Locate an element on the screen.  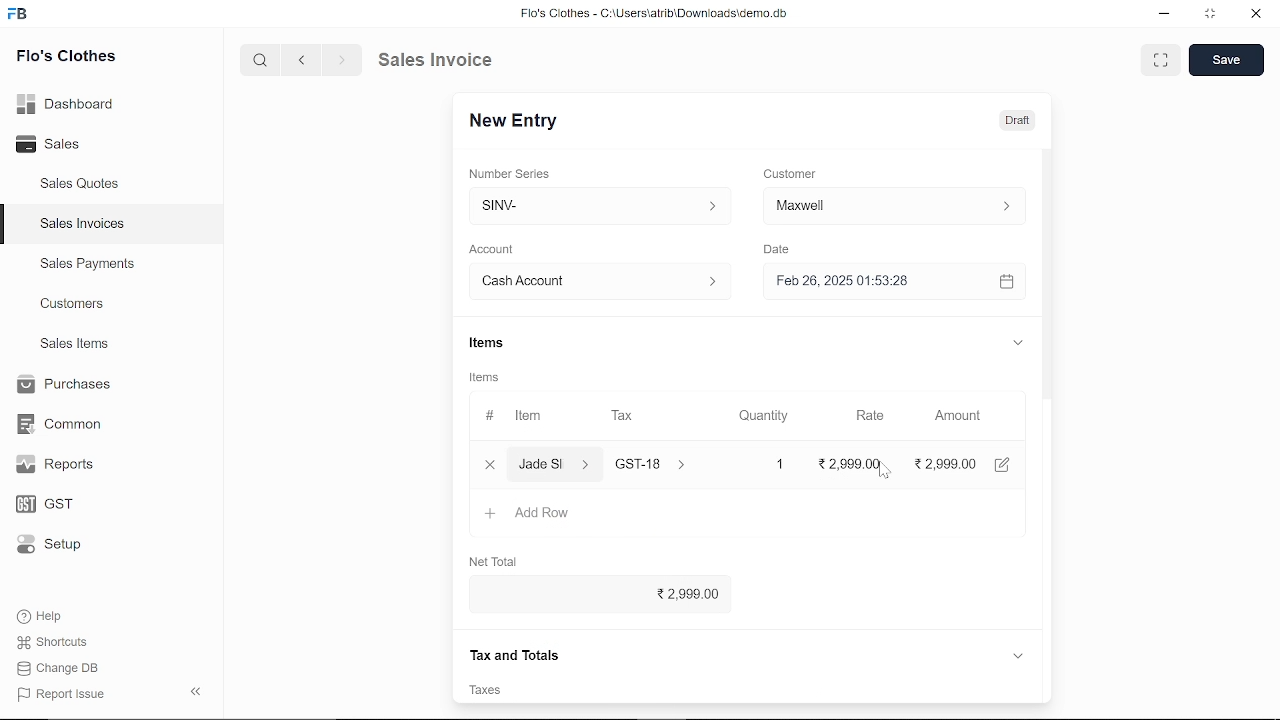
Add Row is located at coordinates (529, 514).